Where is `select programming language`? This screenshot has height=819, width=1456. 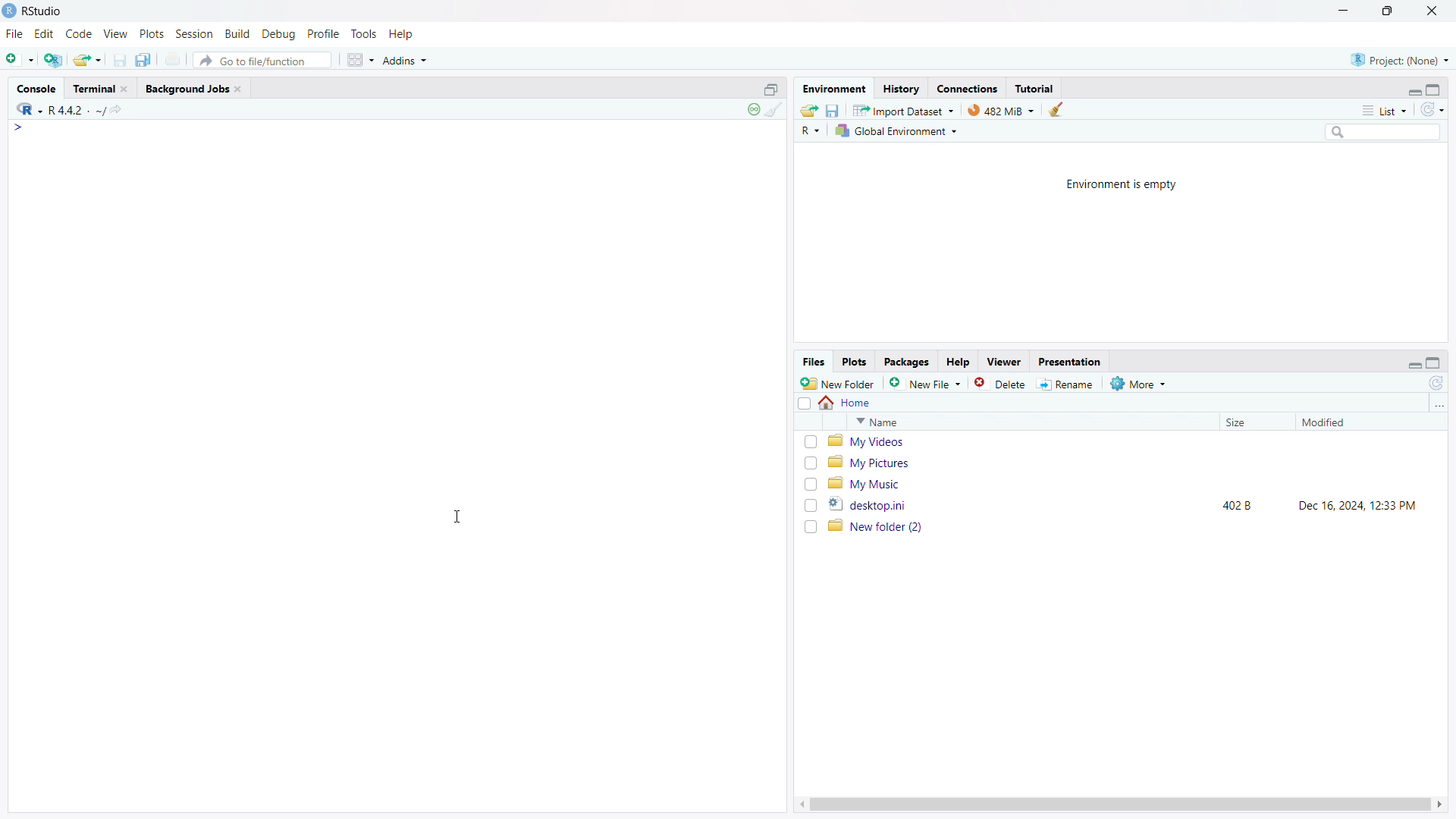
select programming language is located at coordinates (29, 108).